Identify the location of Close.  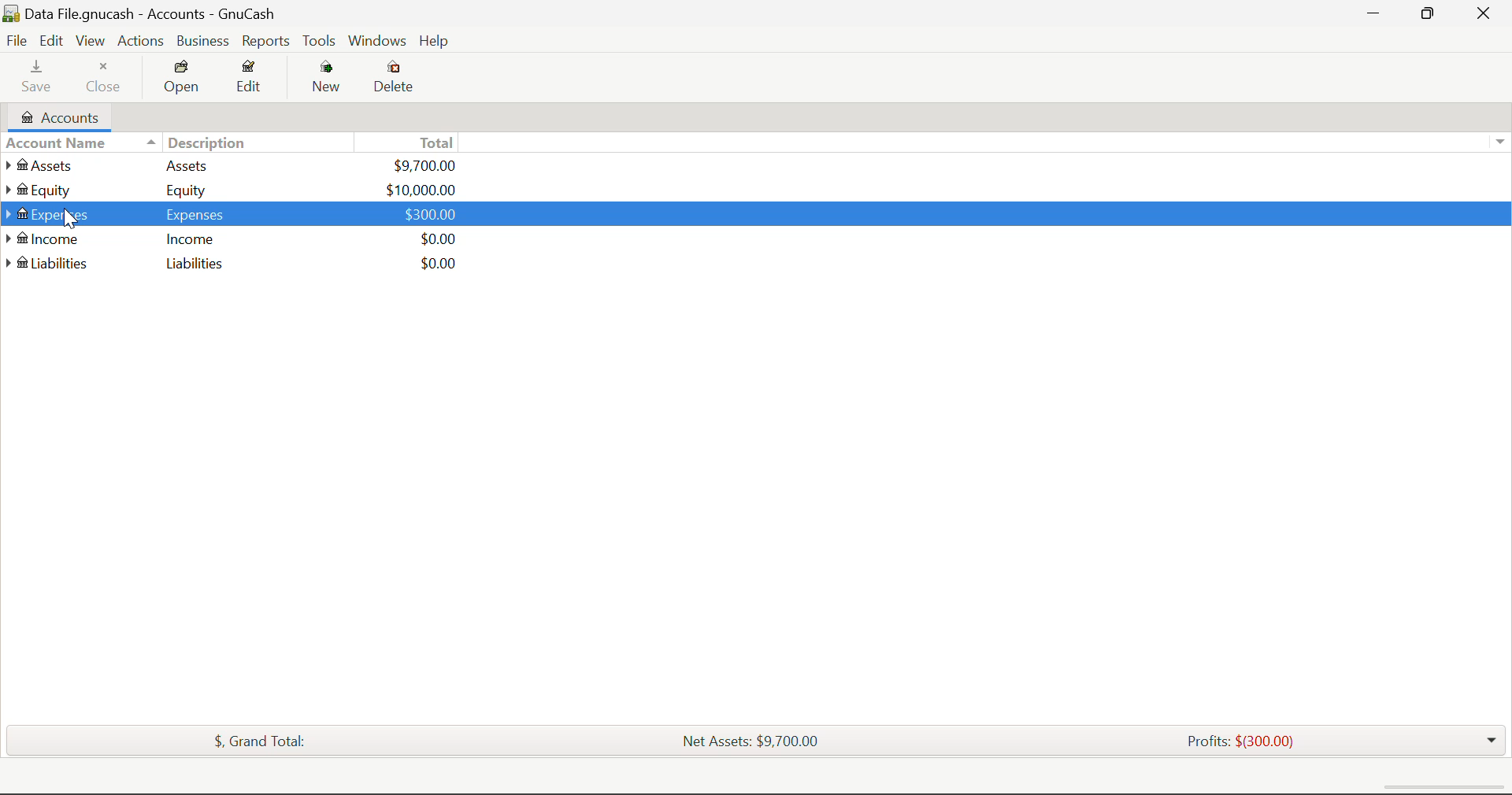
(104, 79).